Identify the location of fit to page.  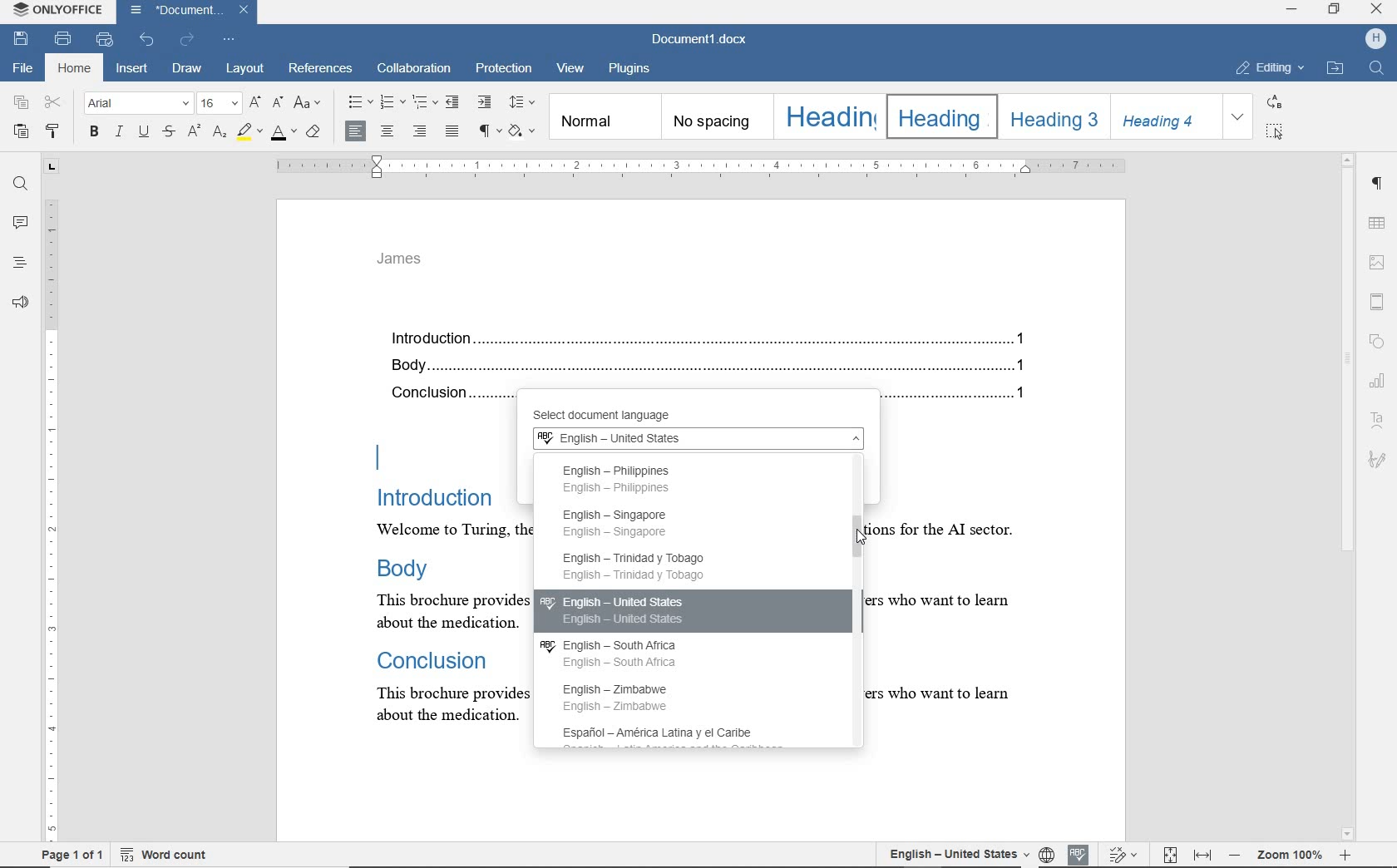
(1171, 856).